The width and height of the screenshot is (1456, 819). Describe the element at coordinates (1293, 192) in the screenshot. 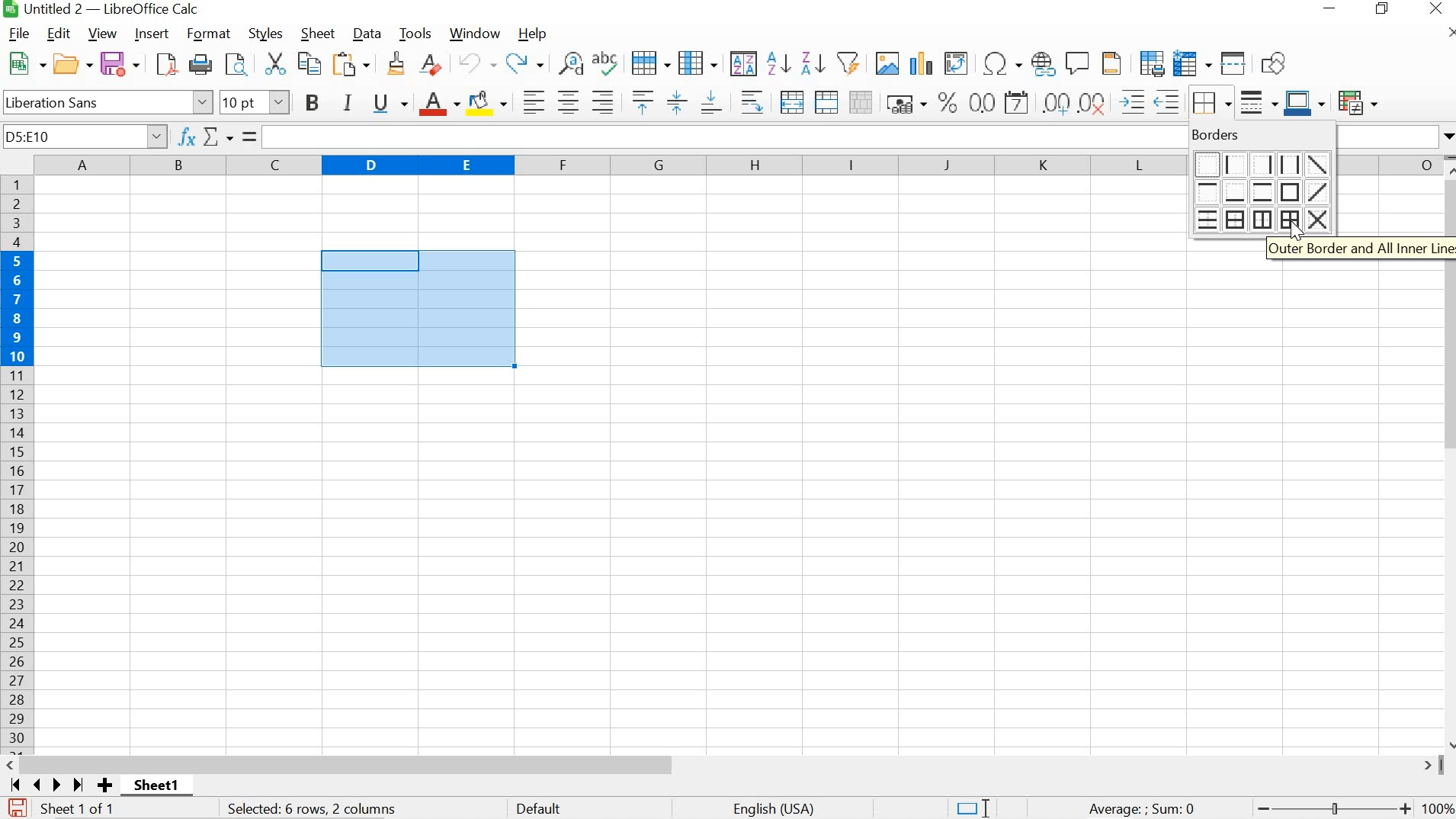

I see `outer border` at that location.